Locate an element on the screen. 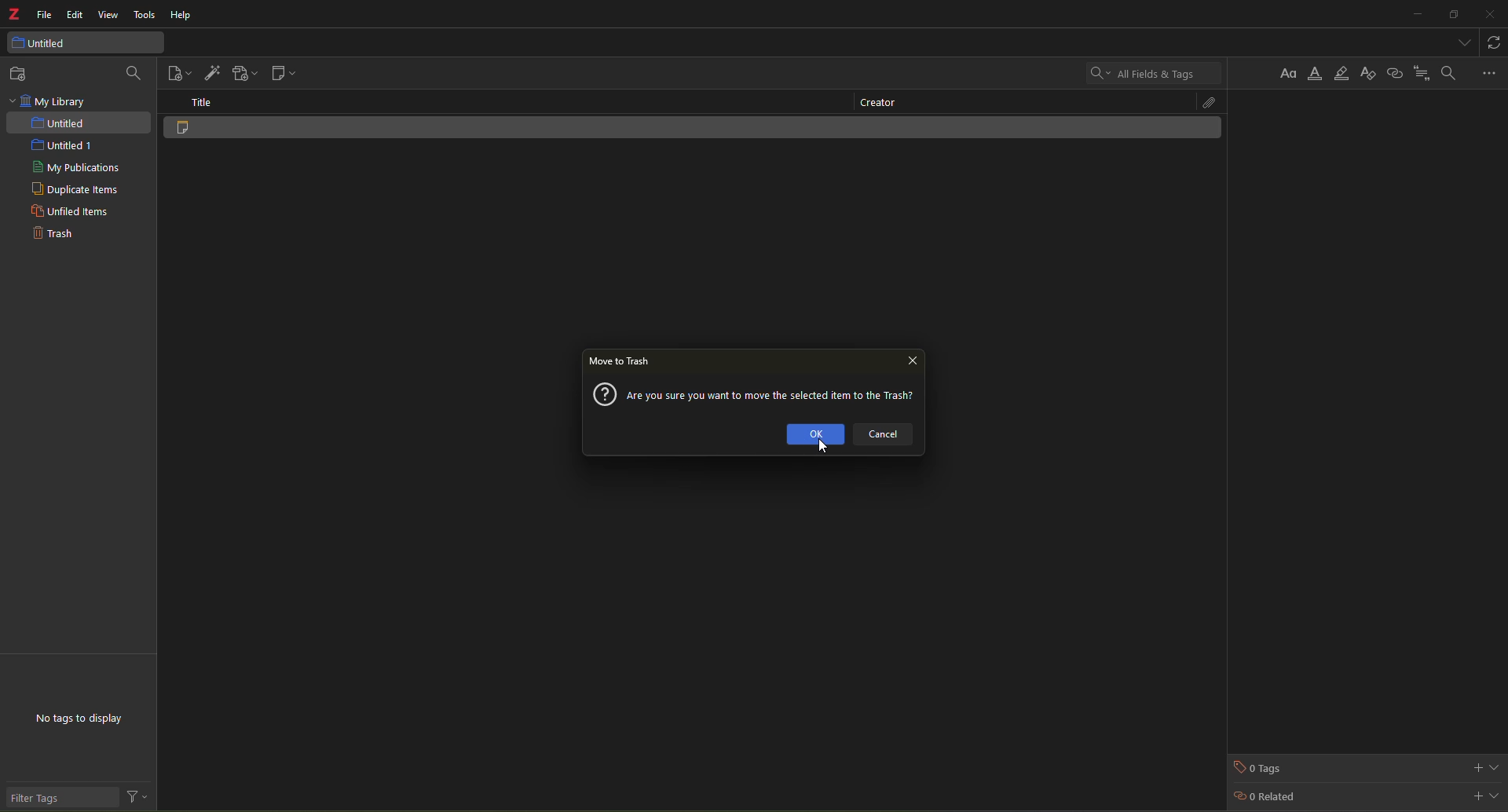  add attachment is located at coordinates (244, 73).